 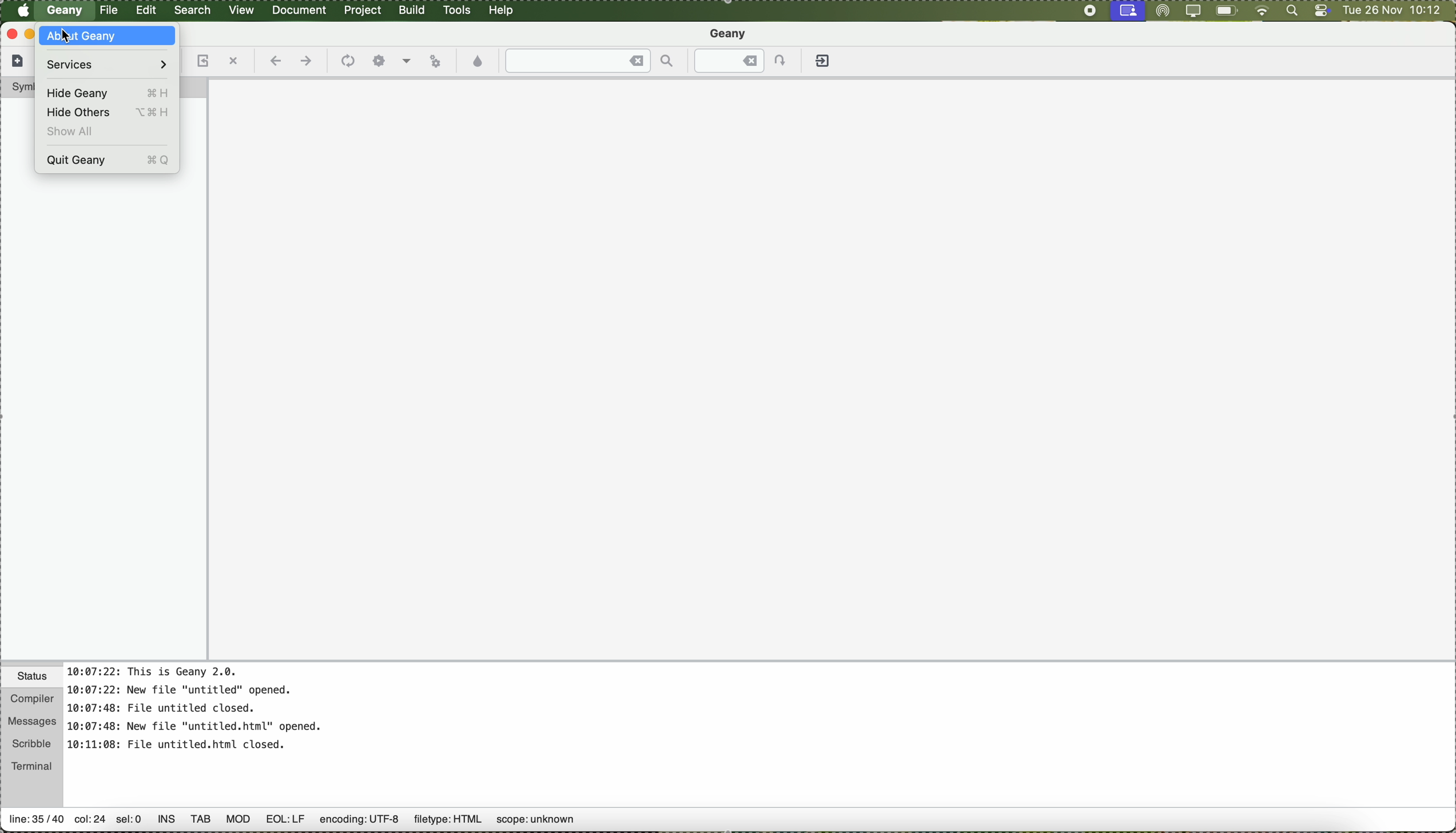 I want to click on spotlight search, so click(x=1288, y=13).